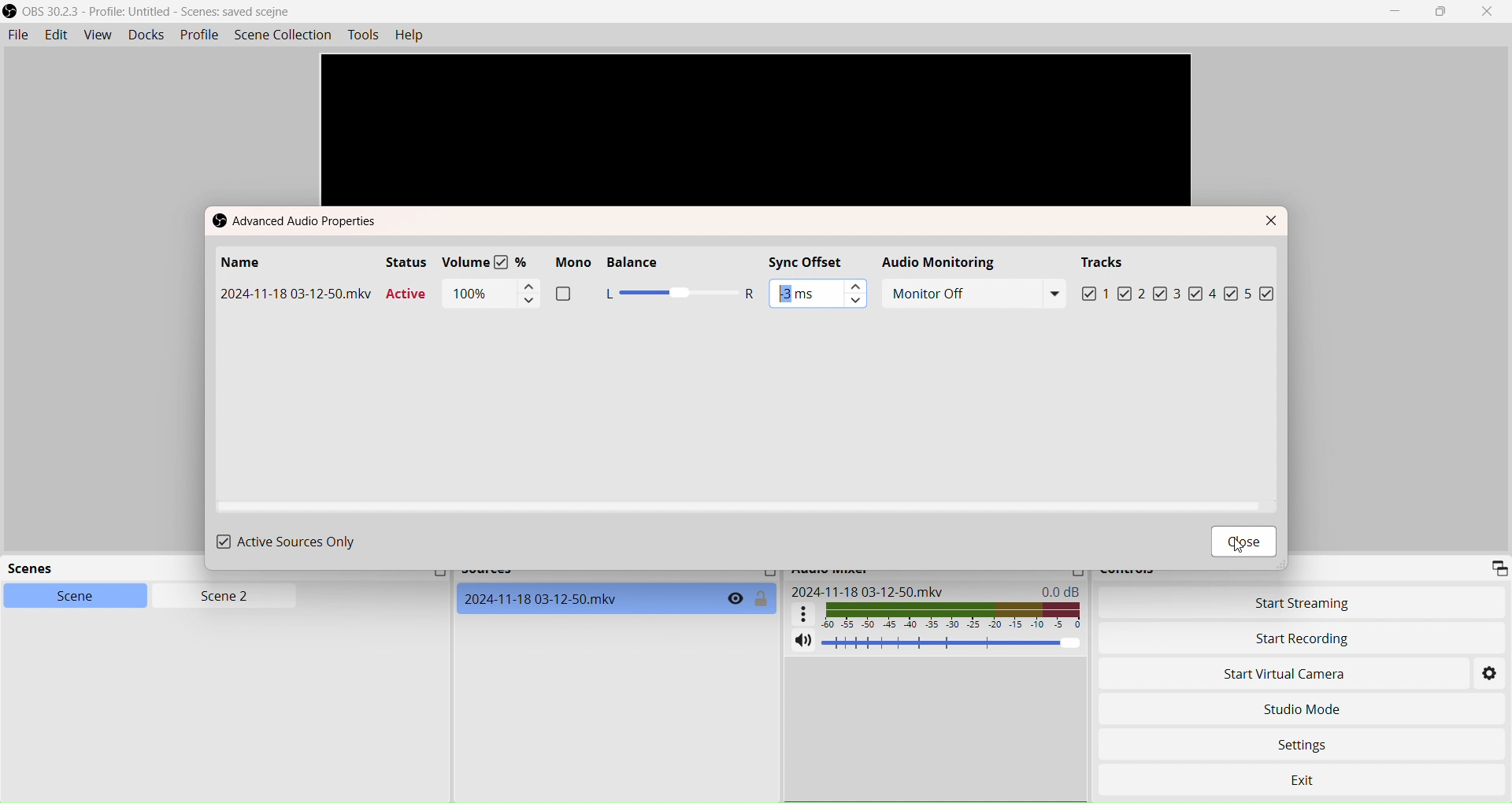  Describe the element at coordinates (144, 34) in the screenshot. I see `Docks` at that location.